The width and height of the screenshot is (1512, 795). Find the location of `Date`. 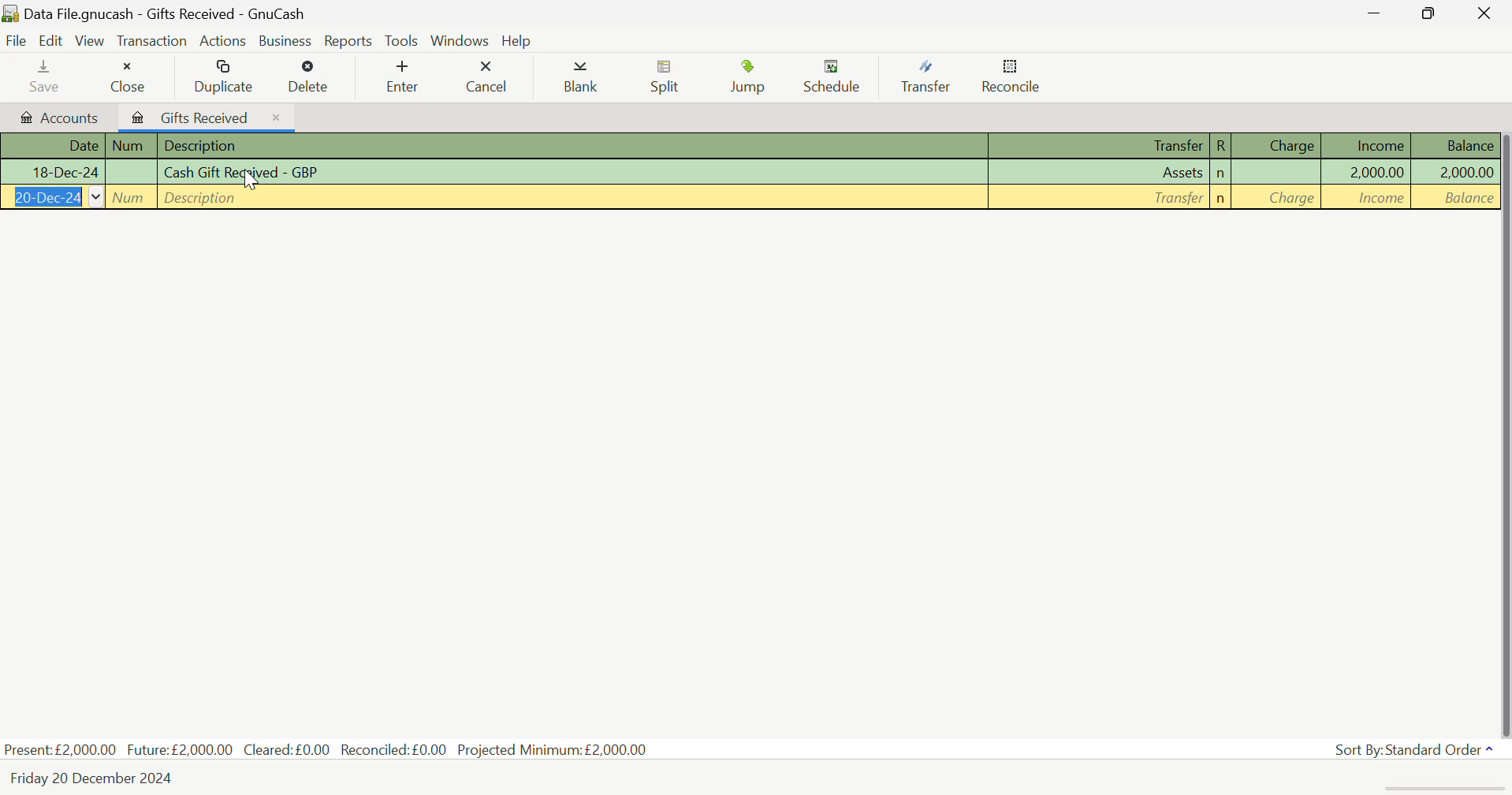

Date is located at coordinates (52, 174).